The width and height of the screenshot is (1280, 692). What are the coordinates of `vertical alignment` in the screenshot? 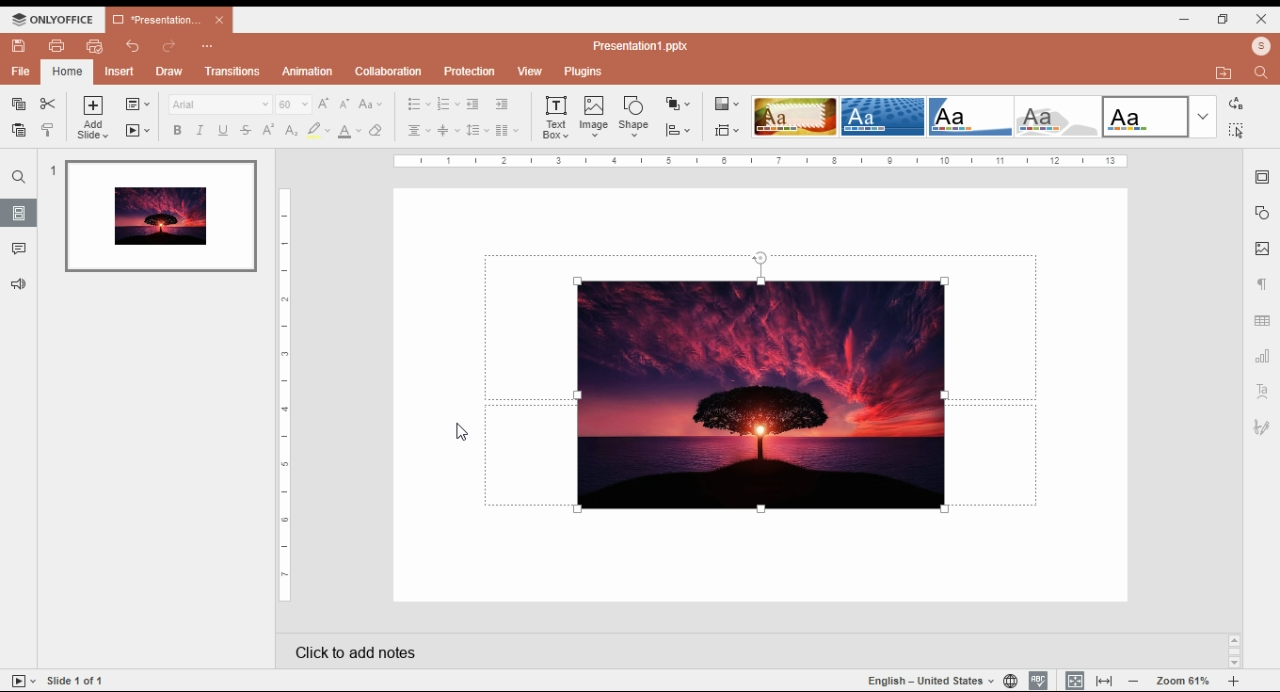 It's located at (448, 131).